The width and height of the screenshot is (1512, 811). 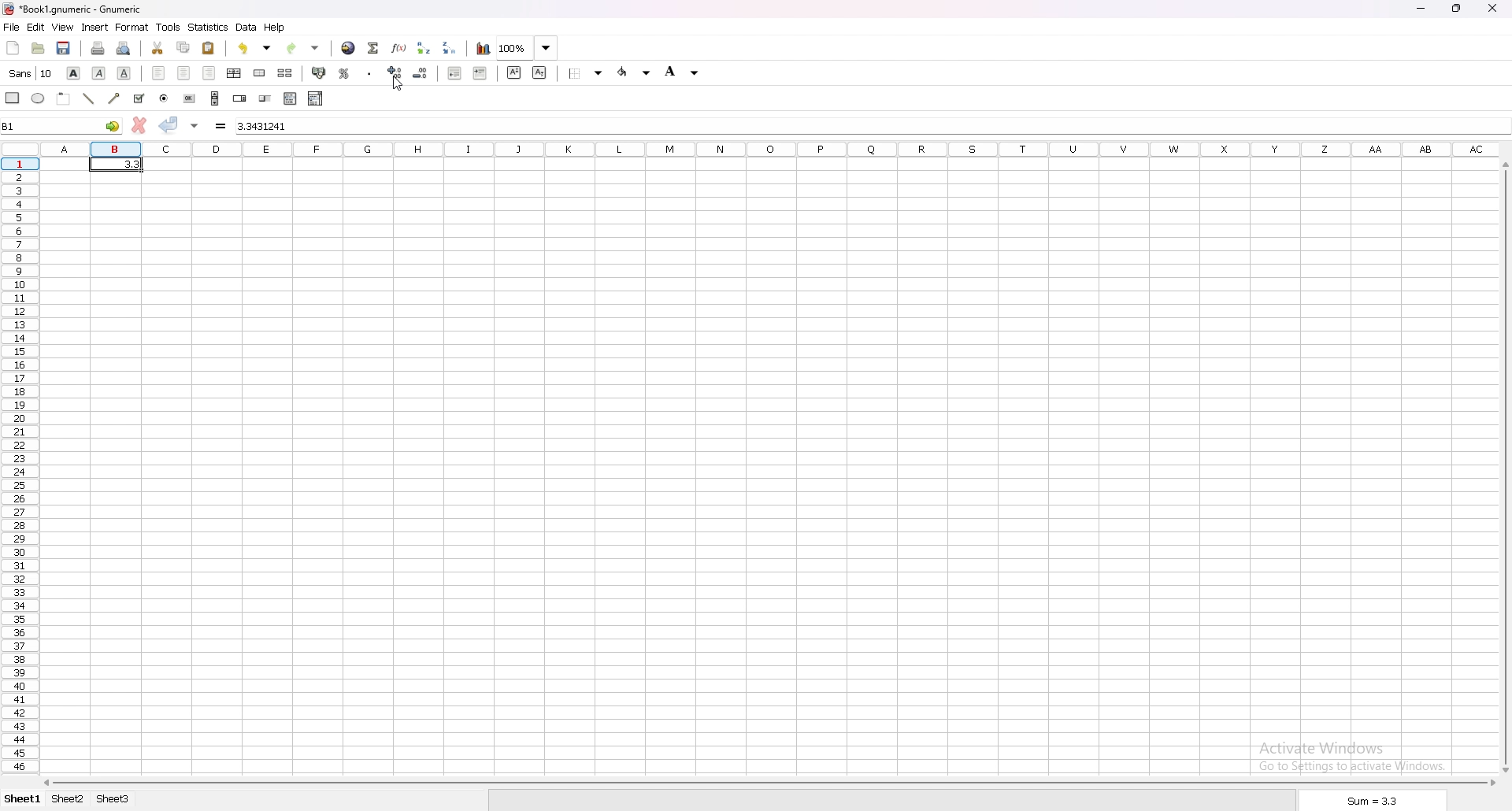 I want to click on superscript, so click(x=514, y=72).